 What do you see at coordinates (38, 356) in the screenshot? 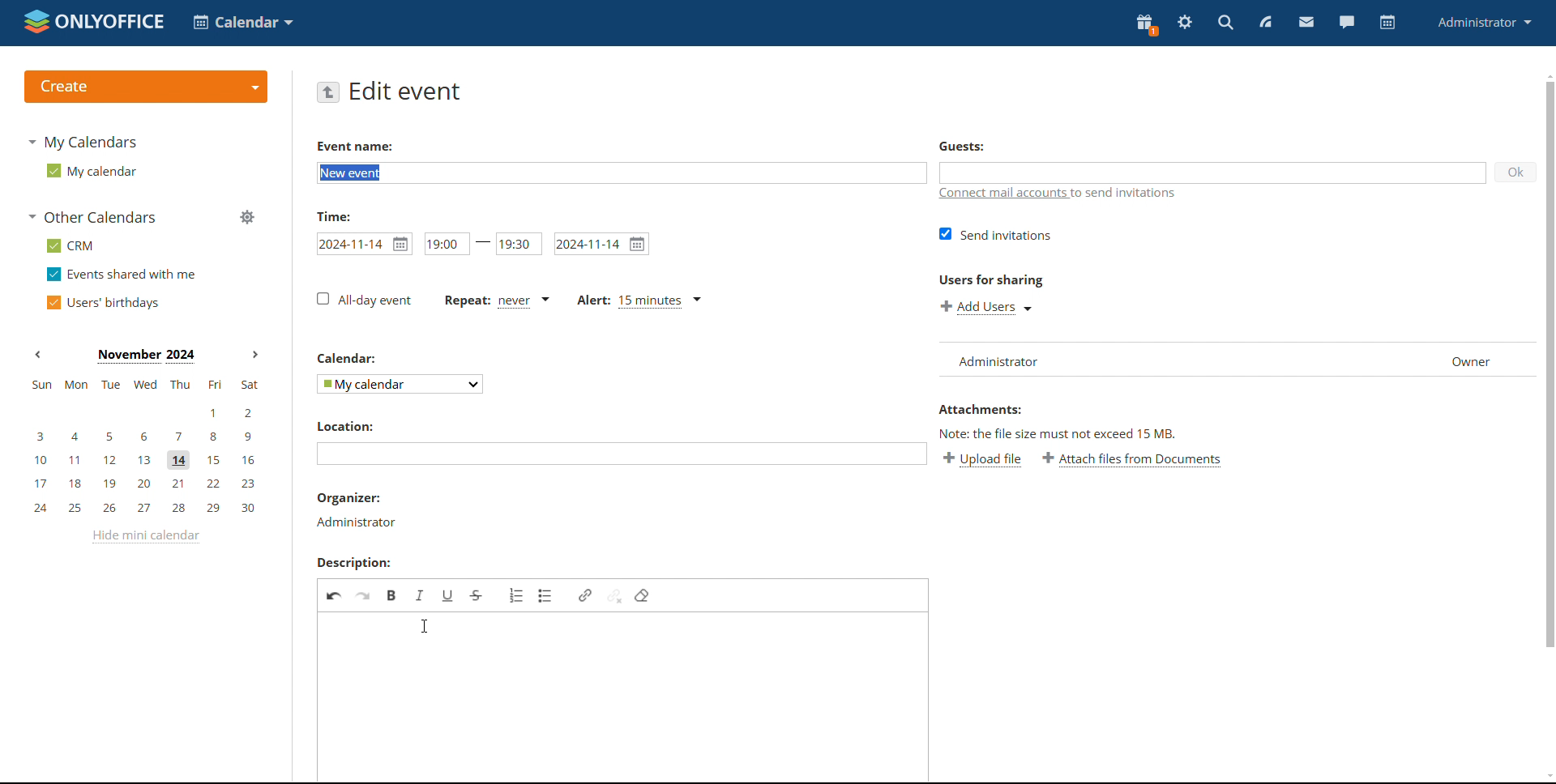
I see `previous month` at bounding box center [38, 356].